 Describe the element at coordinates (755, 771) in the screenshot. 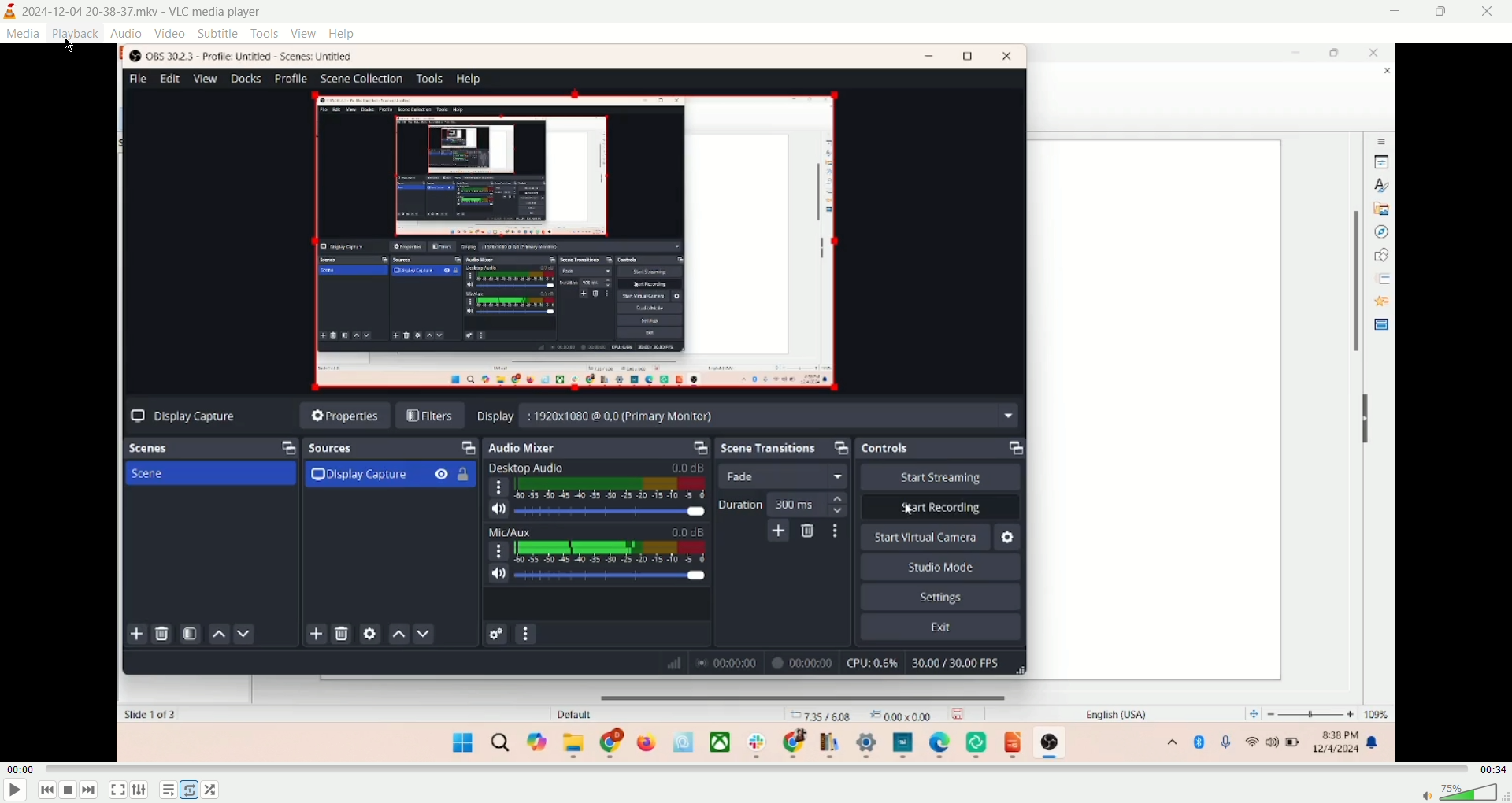

I see `progress bar` at that location.